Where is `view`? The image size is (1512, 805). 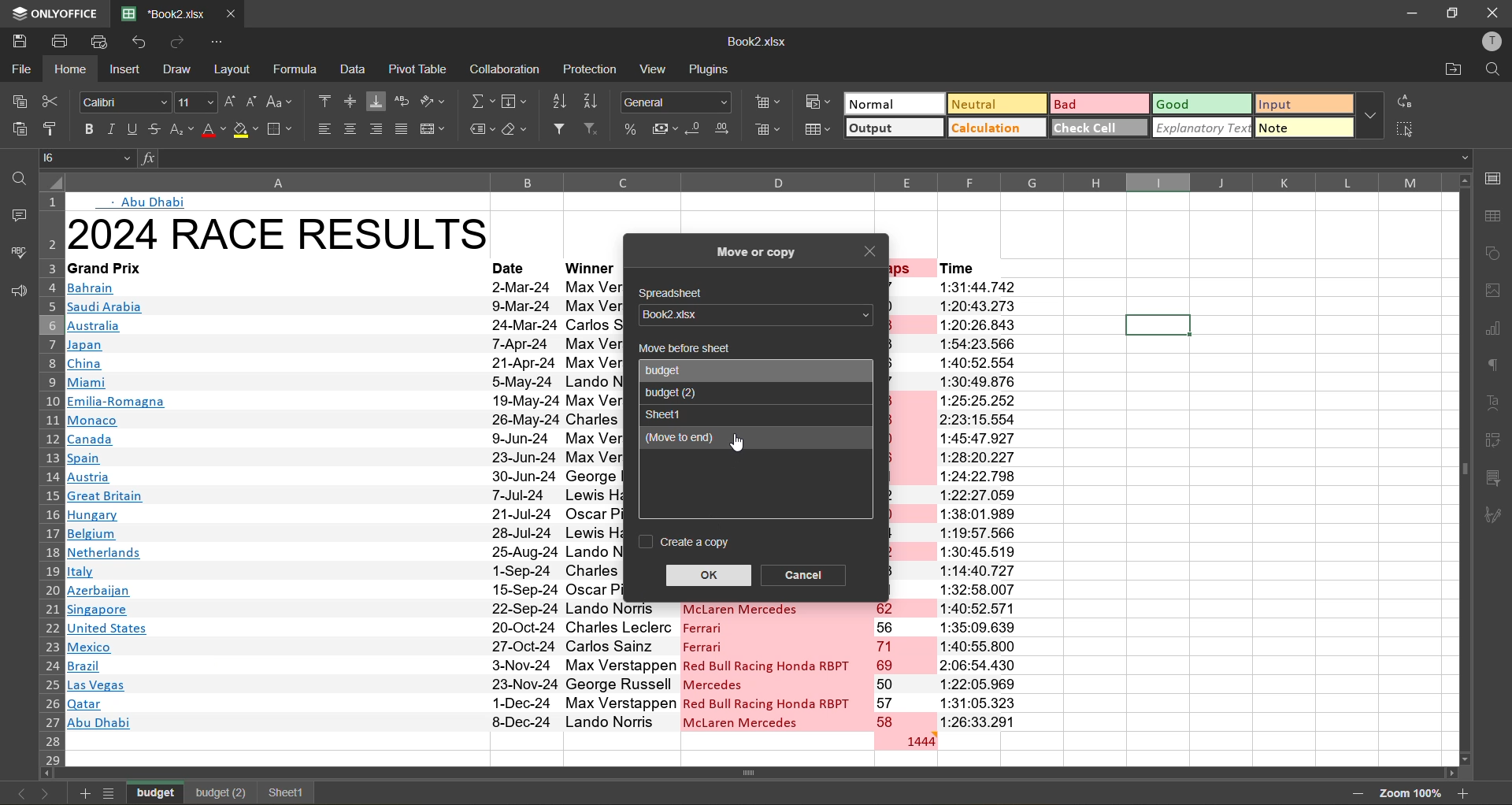
view is located at coordinates (657, 69).